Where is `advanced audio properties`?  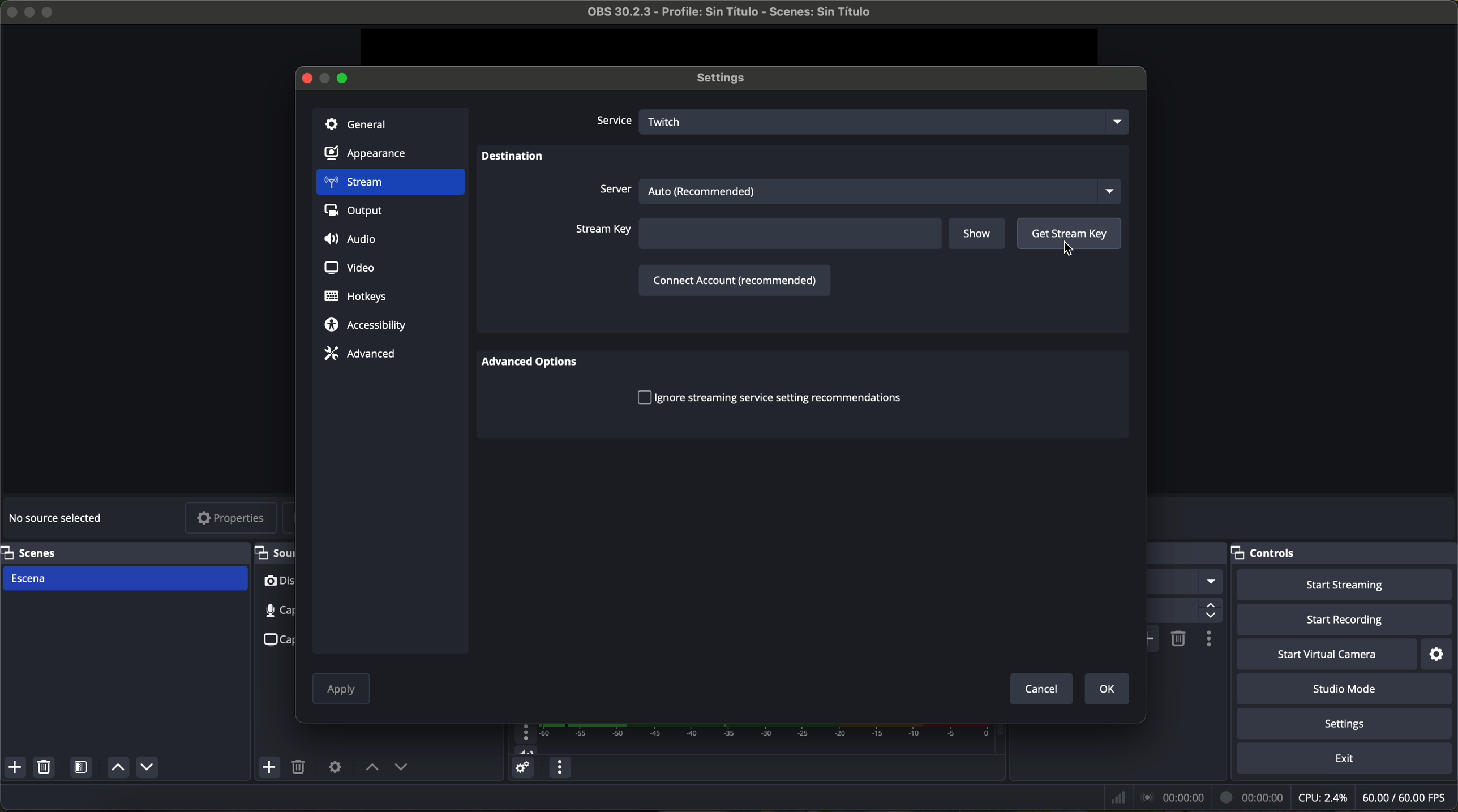
advanced audio properties is located at coordinates (522, 770).